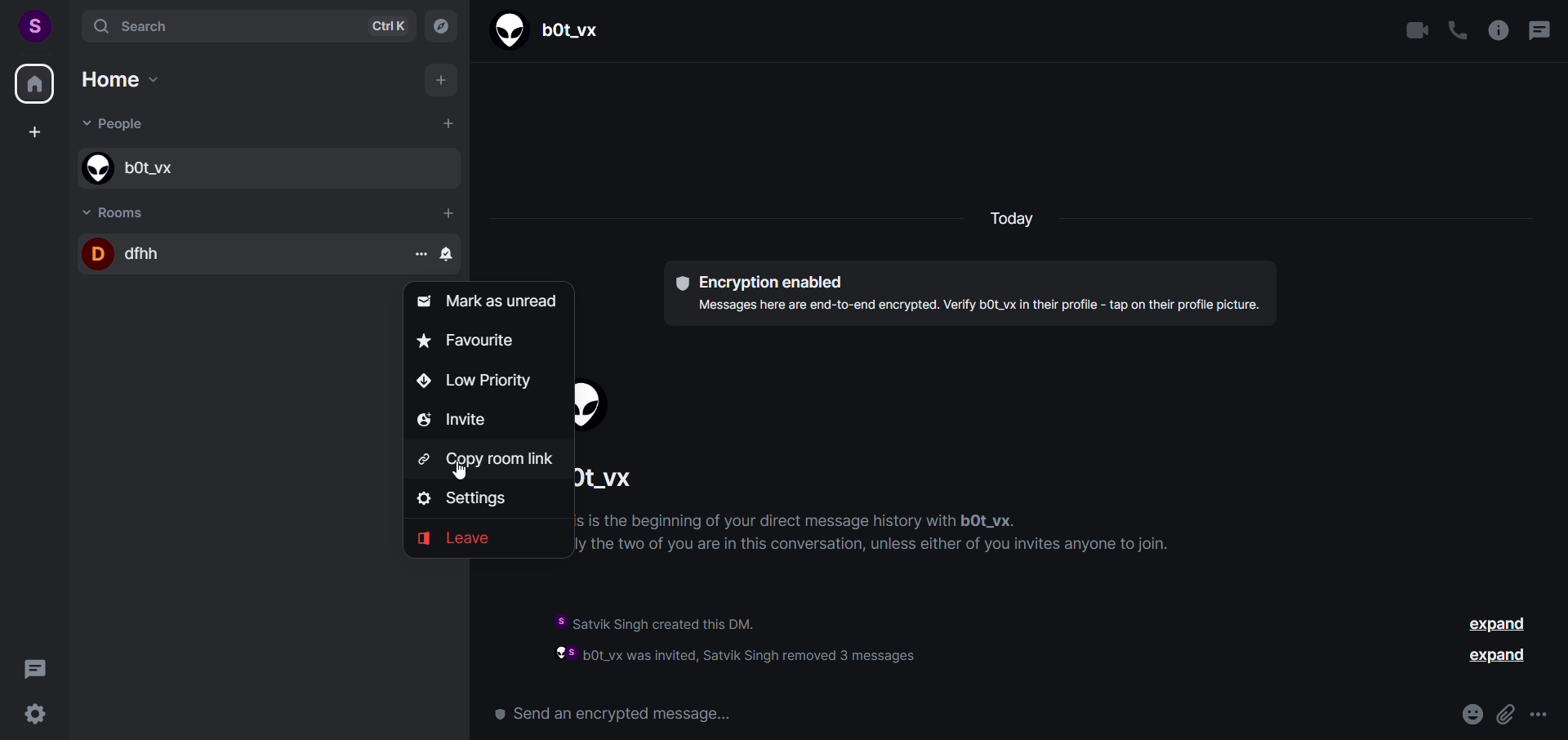  Describe the element at coordinates (773, 635) in the screenshot. I see `information` at that location.